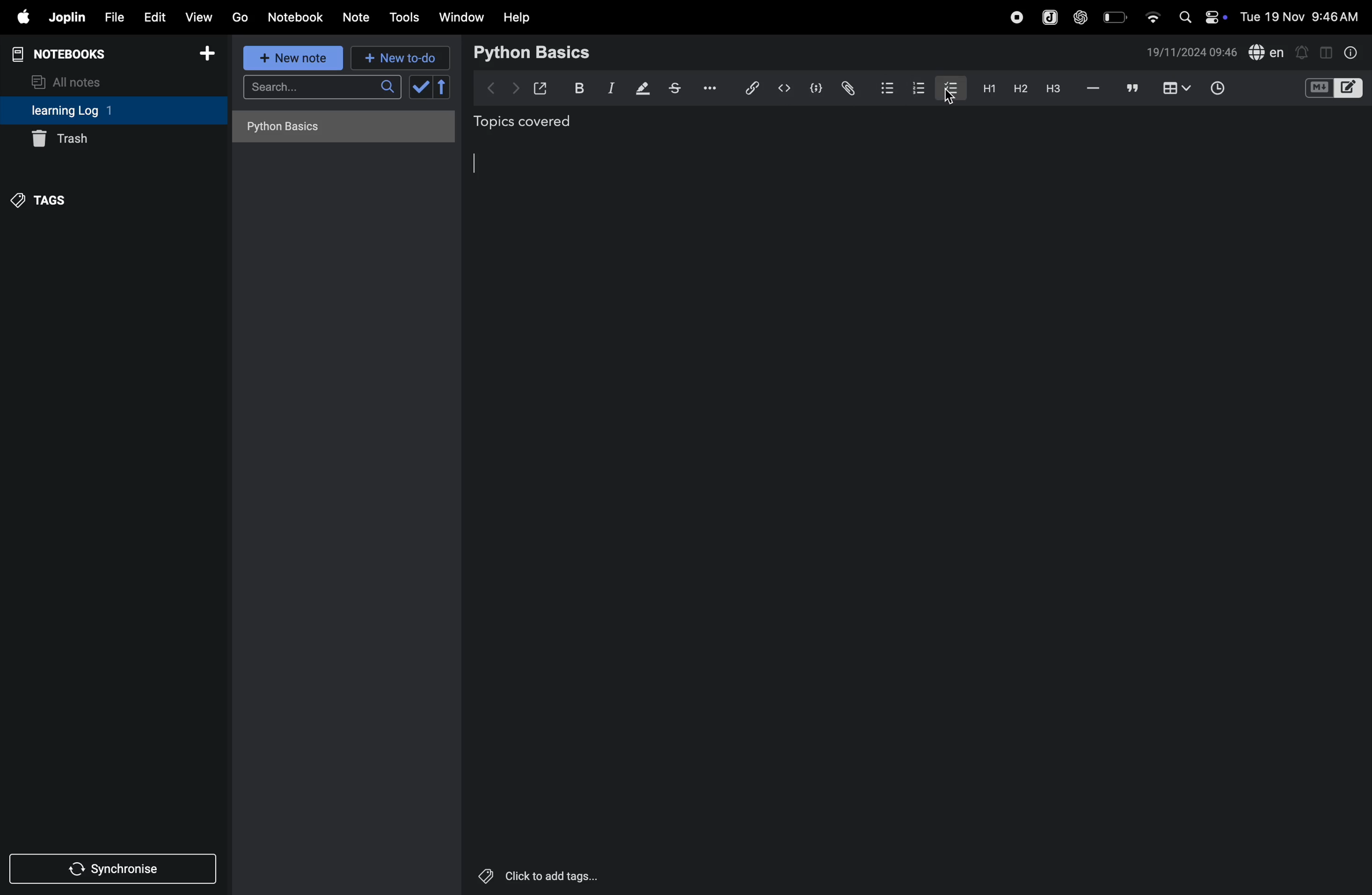  I want to click on info, so click(1349, 52).